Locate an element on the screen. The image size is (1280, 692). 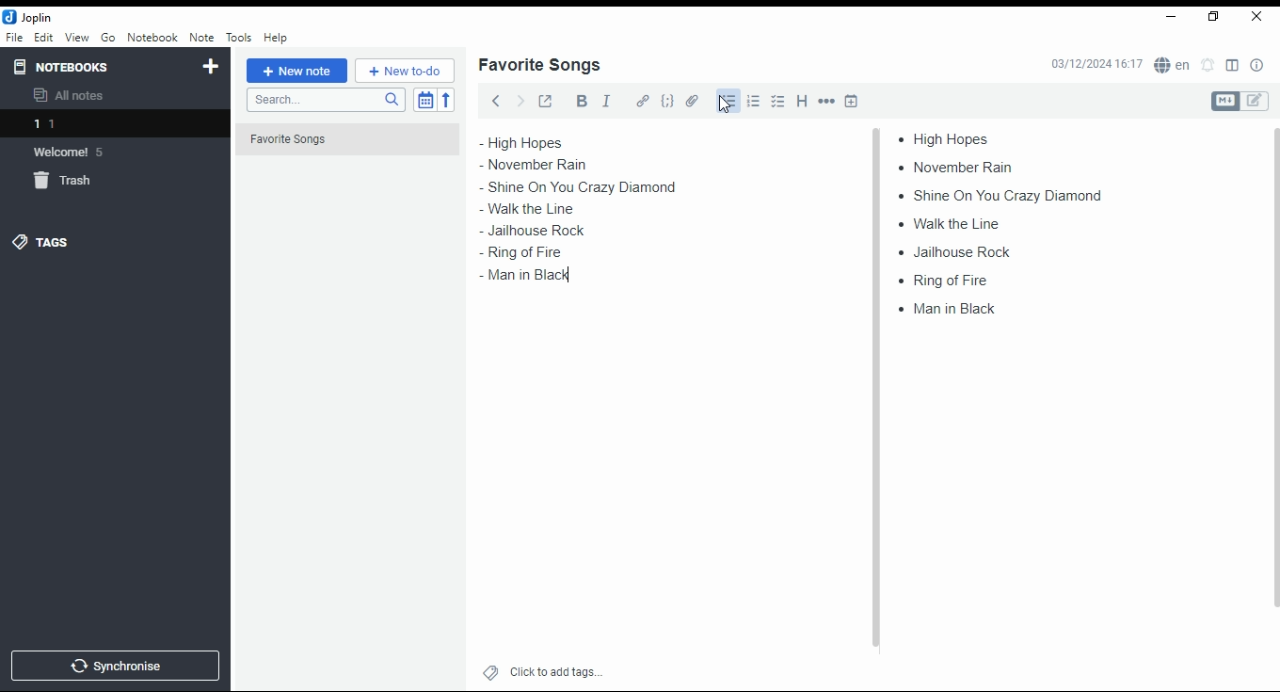
close window is located at coordinates (1258, 17).